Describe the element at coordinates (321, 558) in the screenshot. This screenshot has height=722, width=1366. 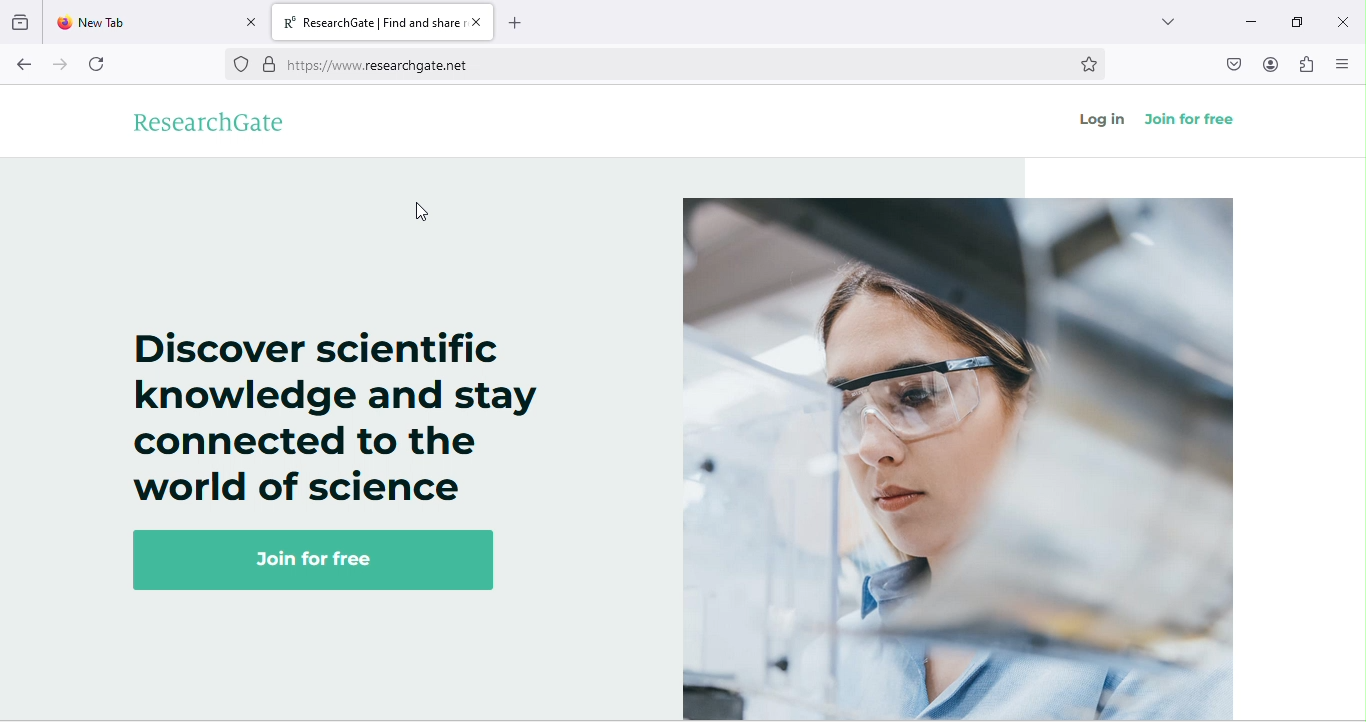
I see `join for free` at that location.